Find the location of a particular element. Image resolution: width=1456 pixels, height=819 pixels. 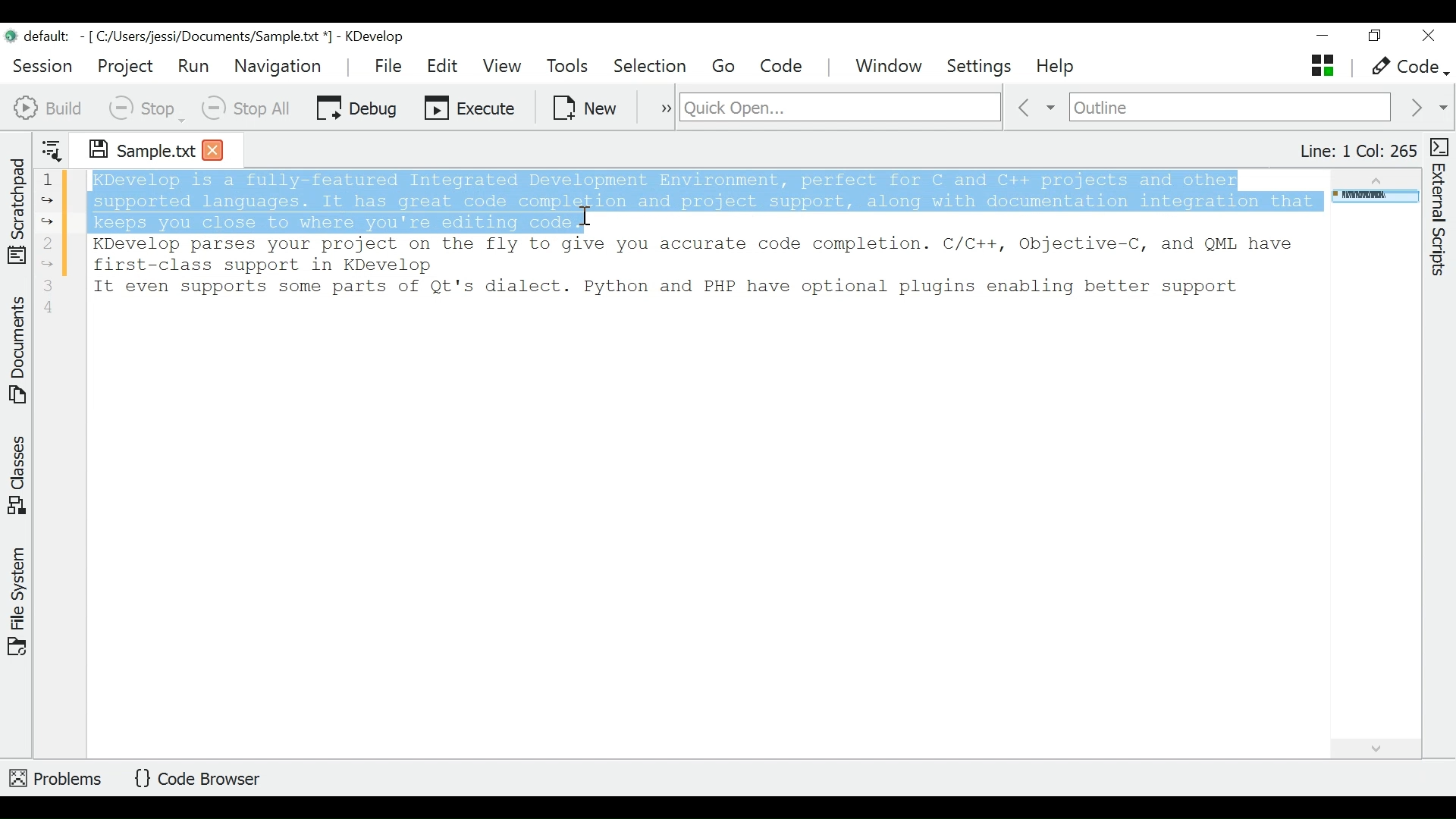

Execute is located at coordinates (471, 106).